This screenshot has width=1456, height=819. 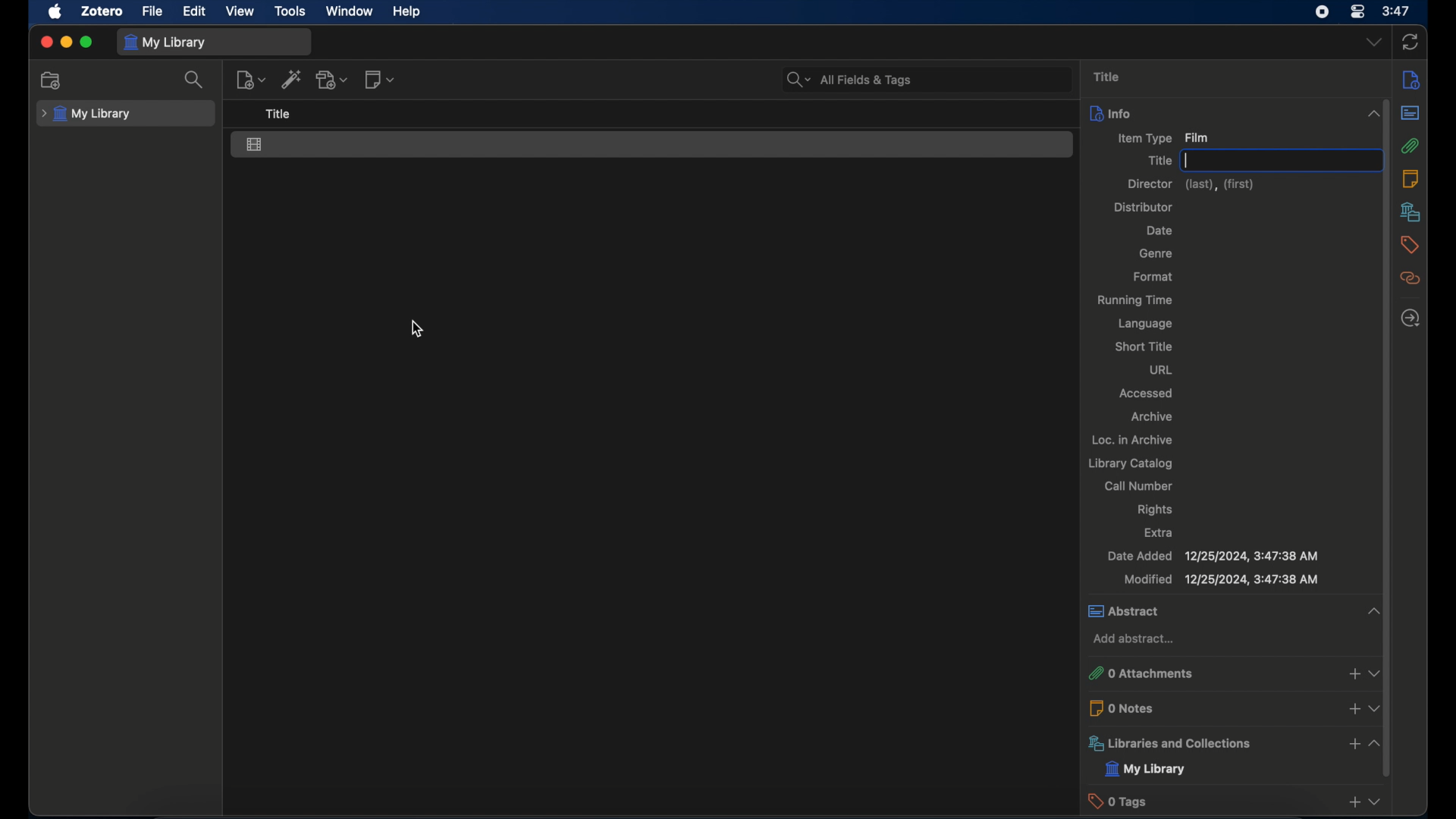 What do you see at coordinates (1146, 325) in the screenshot?
I see `language` at bounding box center [1146, 325].